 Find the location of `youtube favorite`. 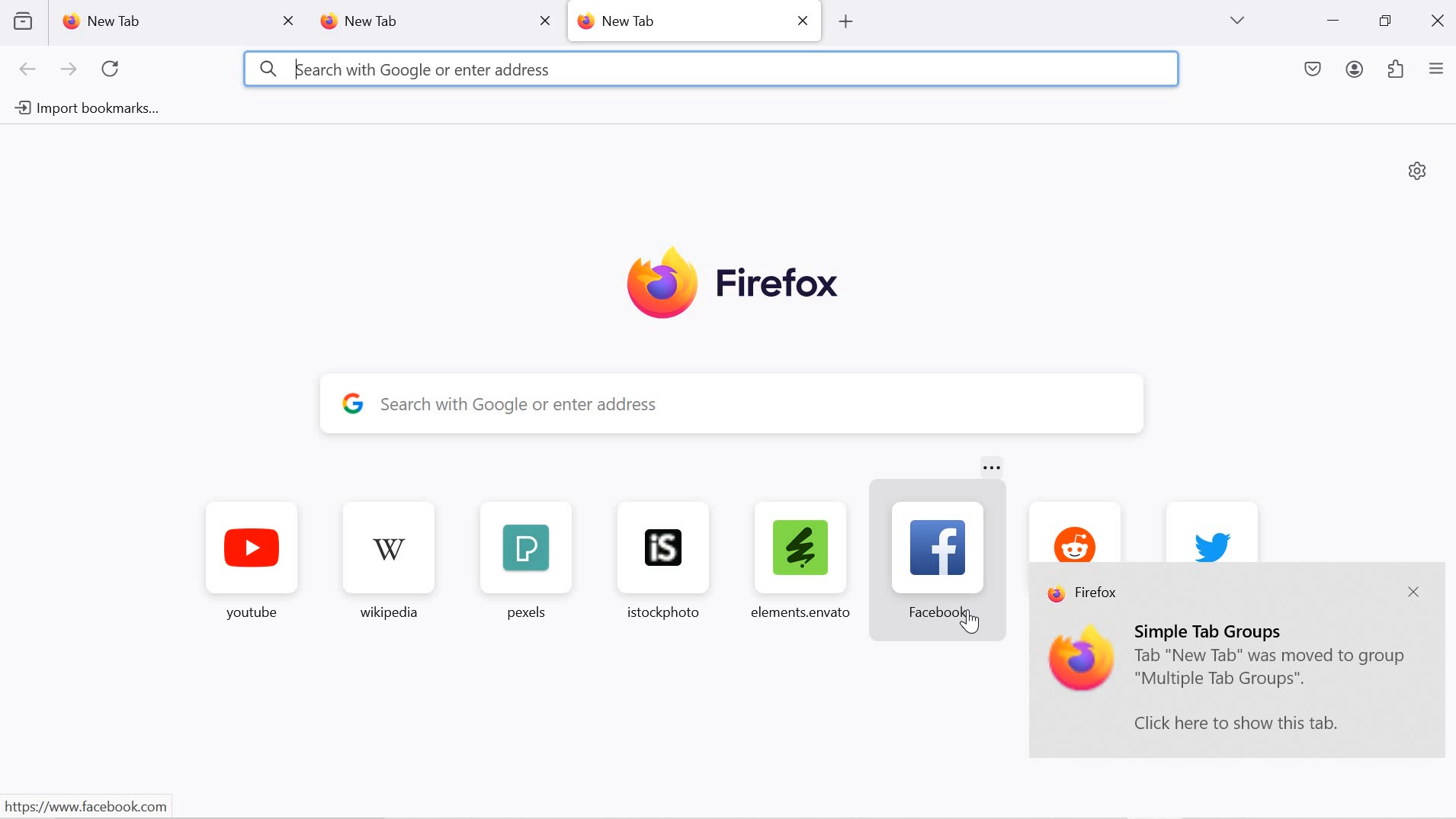

youtube favorite is located at coordinates (252, 564).